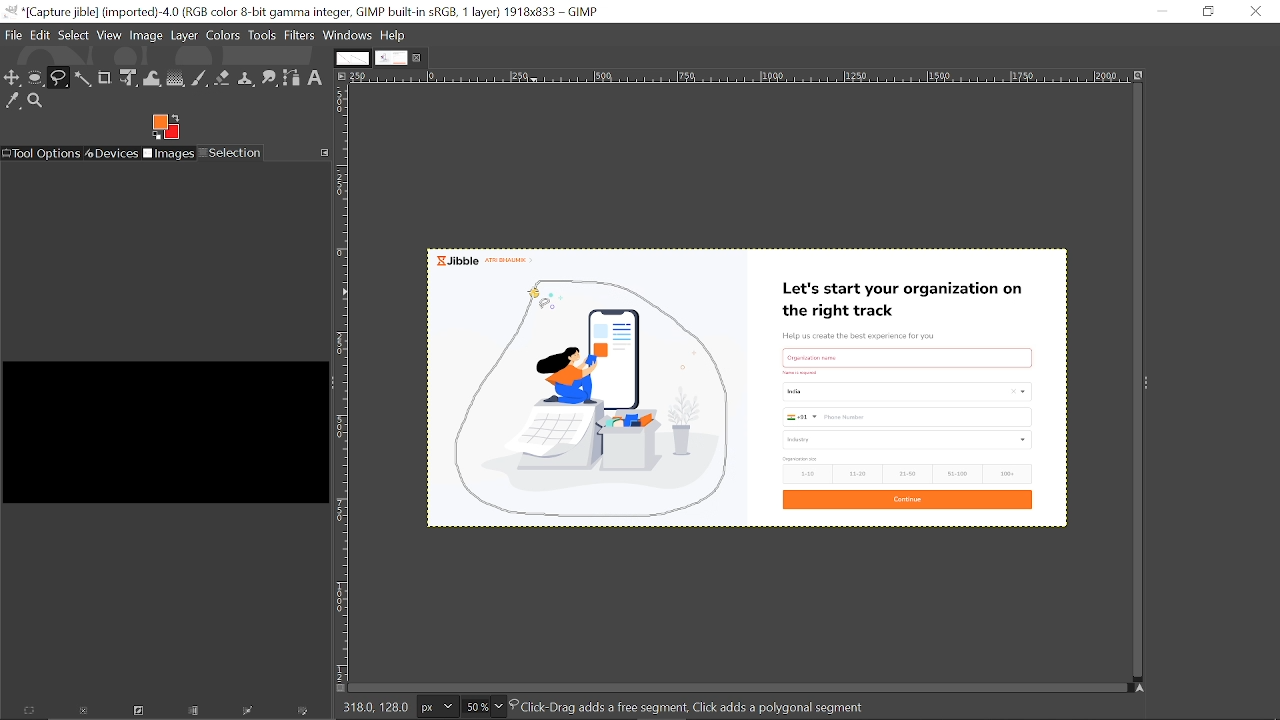 This screenshot has width=1280, height=720. Describe the element at coordinates (1141, 79) in the screenshot. I see `Zoom image when window size changes` at that location.